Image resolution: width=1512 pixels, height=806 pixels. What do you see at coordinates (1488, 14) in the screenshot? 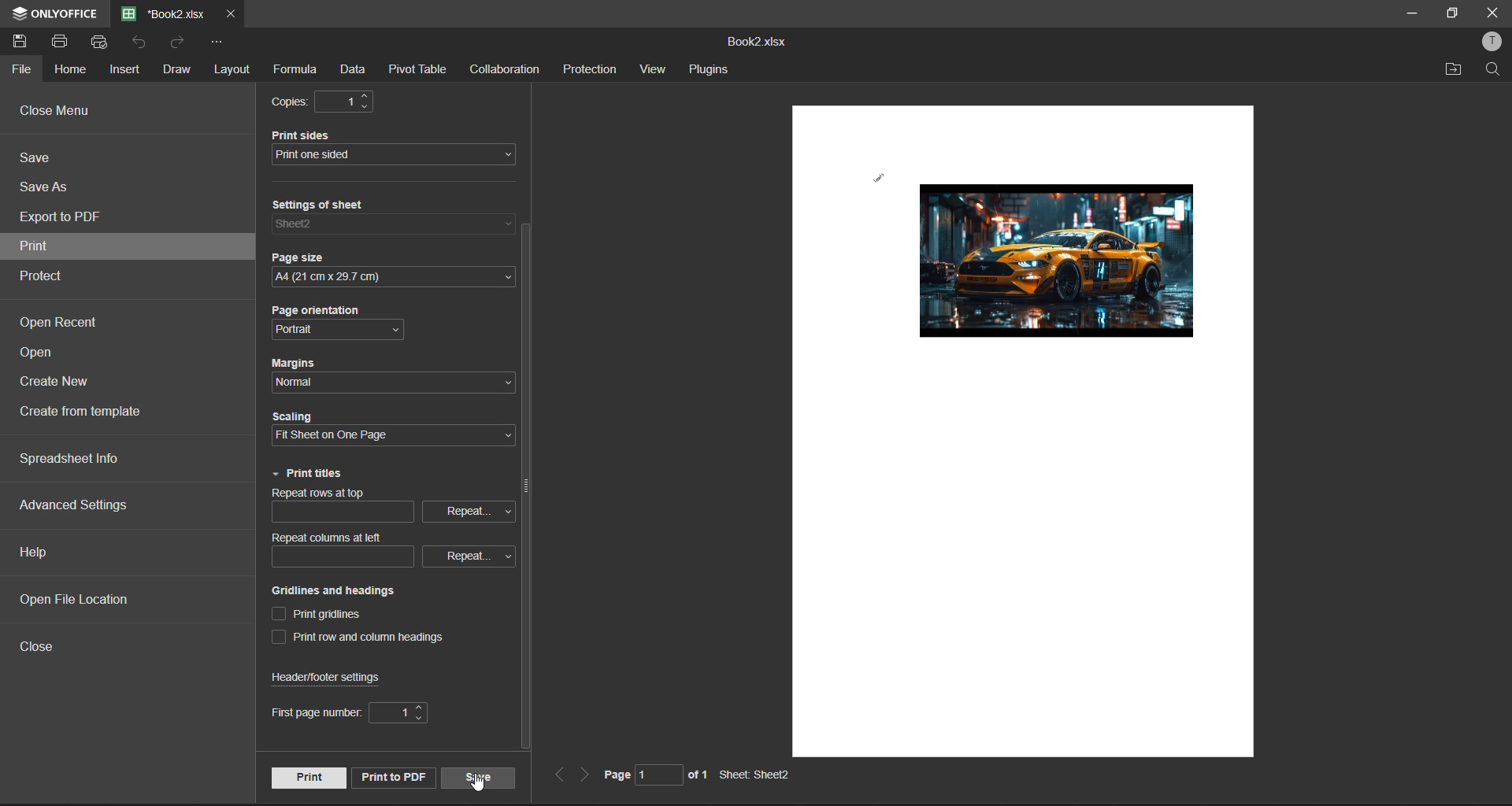
I see `close` at bounding box center [1488, 14].